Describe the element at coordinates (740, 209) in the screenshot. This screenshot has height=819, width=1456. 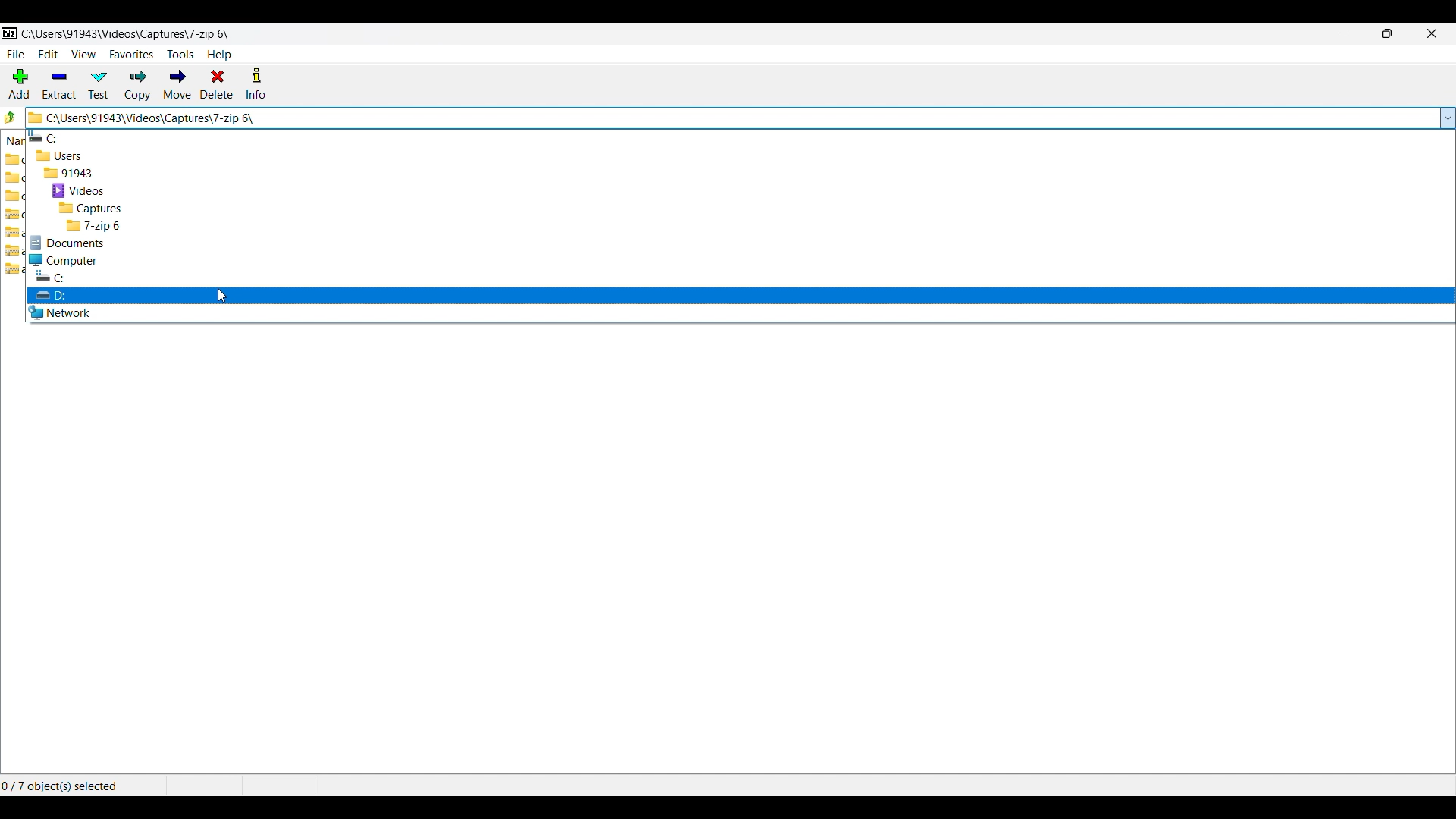
I see `Captures folder` at that location.